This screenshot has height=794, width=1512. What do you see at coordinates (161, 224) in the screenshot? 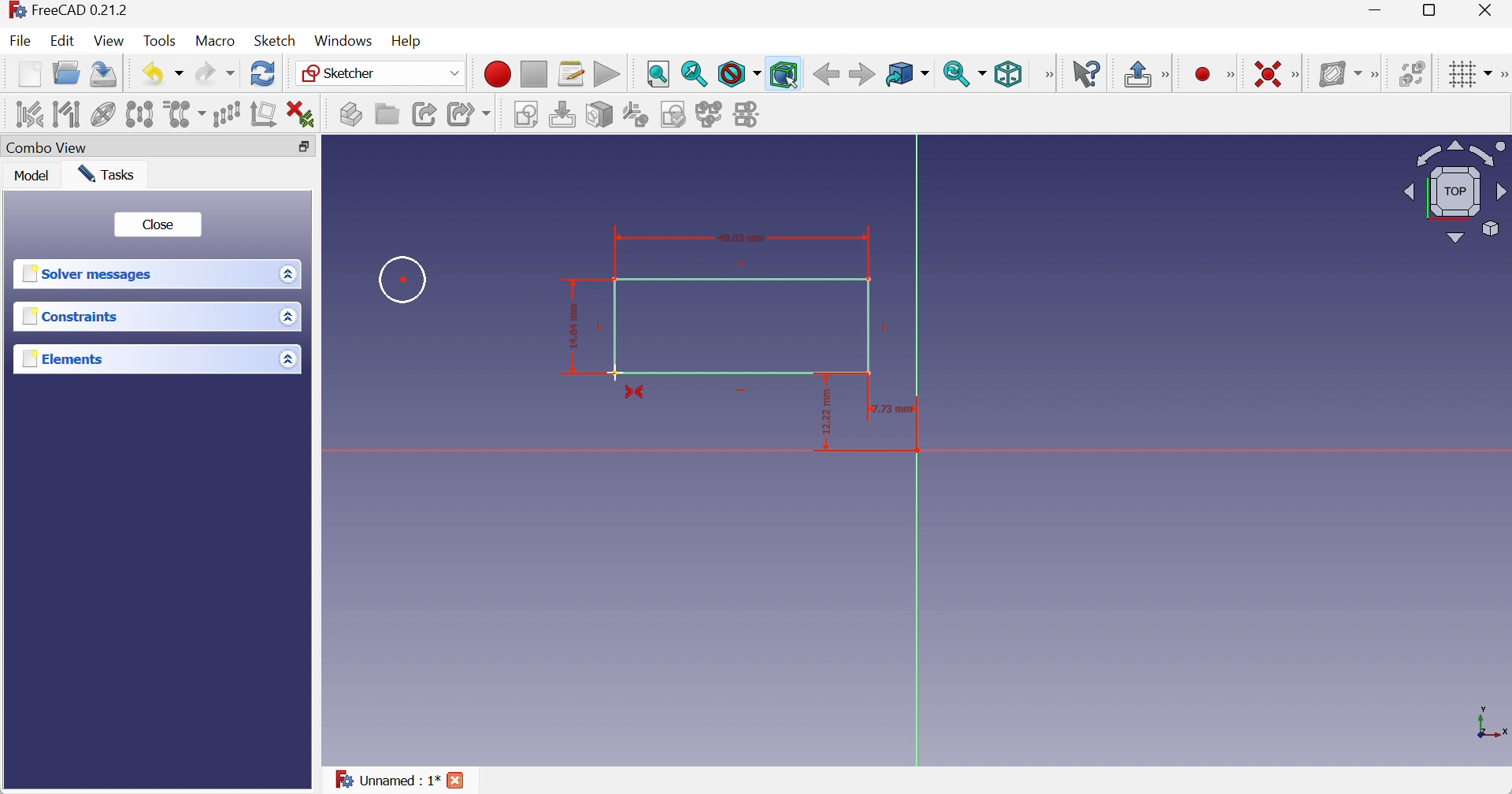
I see `Close` at bounding box center [161, 224].